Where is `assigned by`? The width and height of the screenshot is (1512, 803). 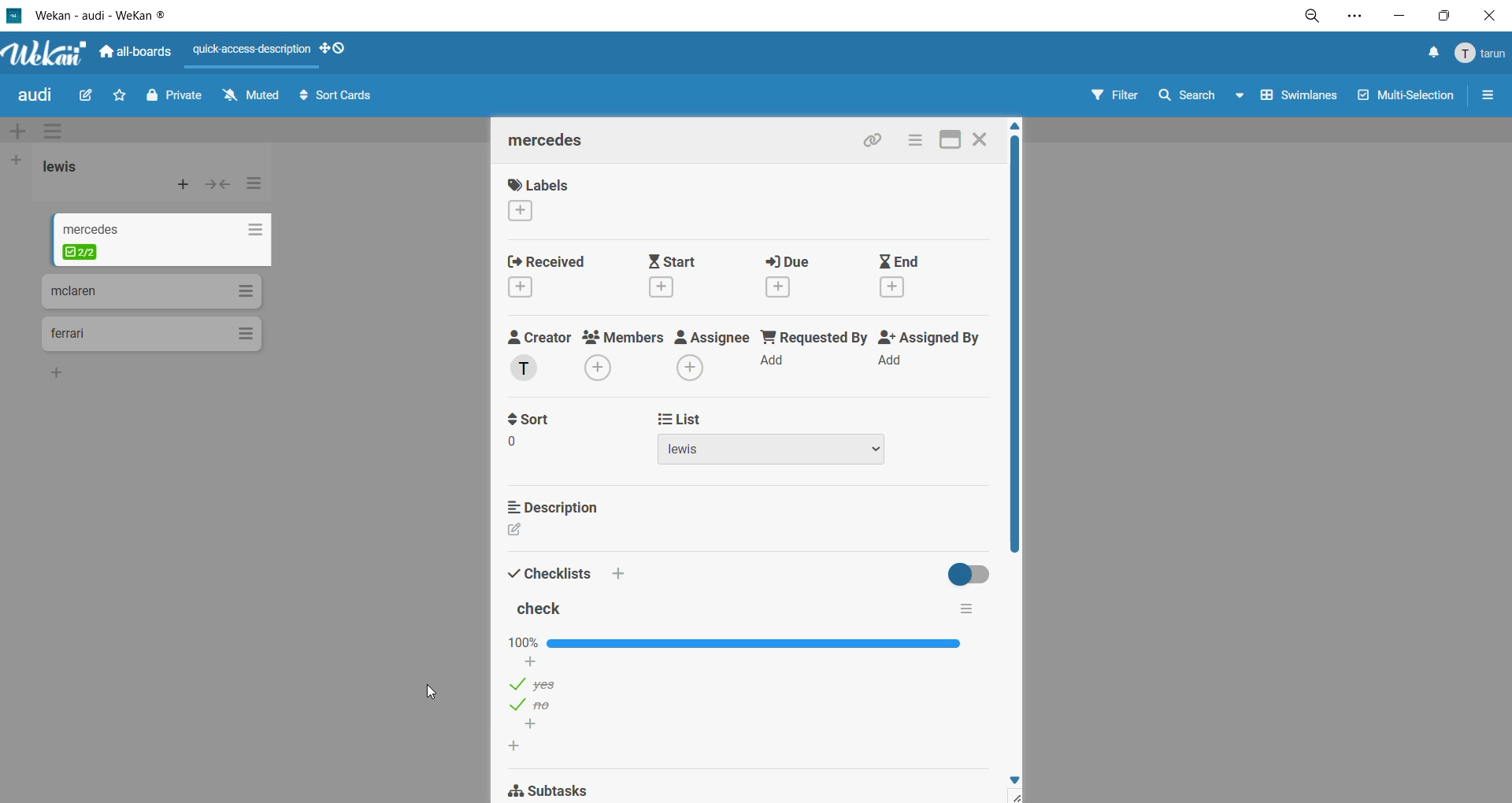 assigned by is located at coordinates (928, 353).